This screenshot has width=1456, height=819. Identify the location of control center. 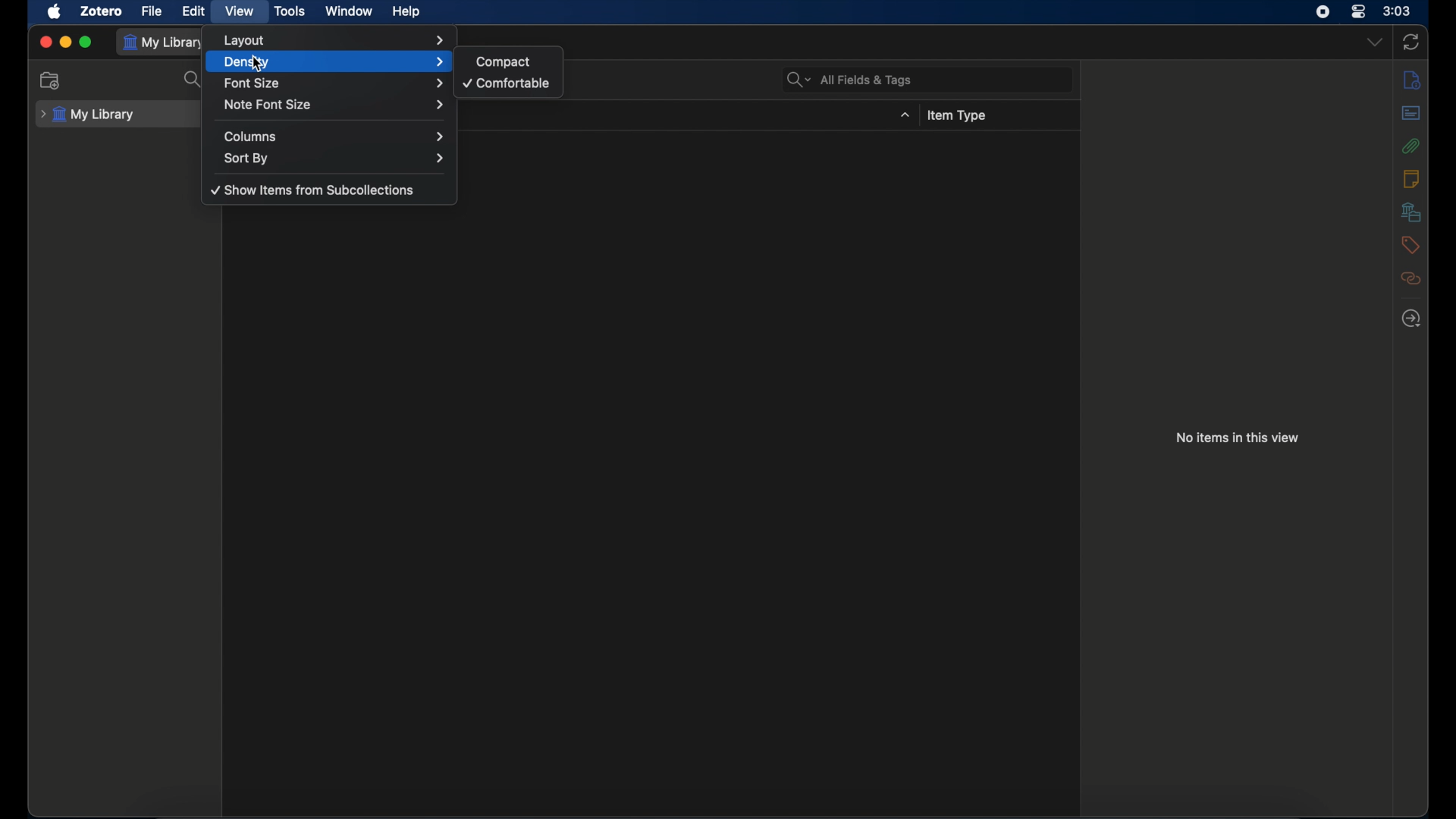
(1357, 11).